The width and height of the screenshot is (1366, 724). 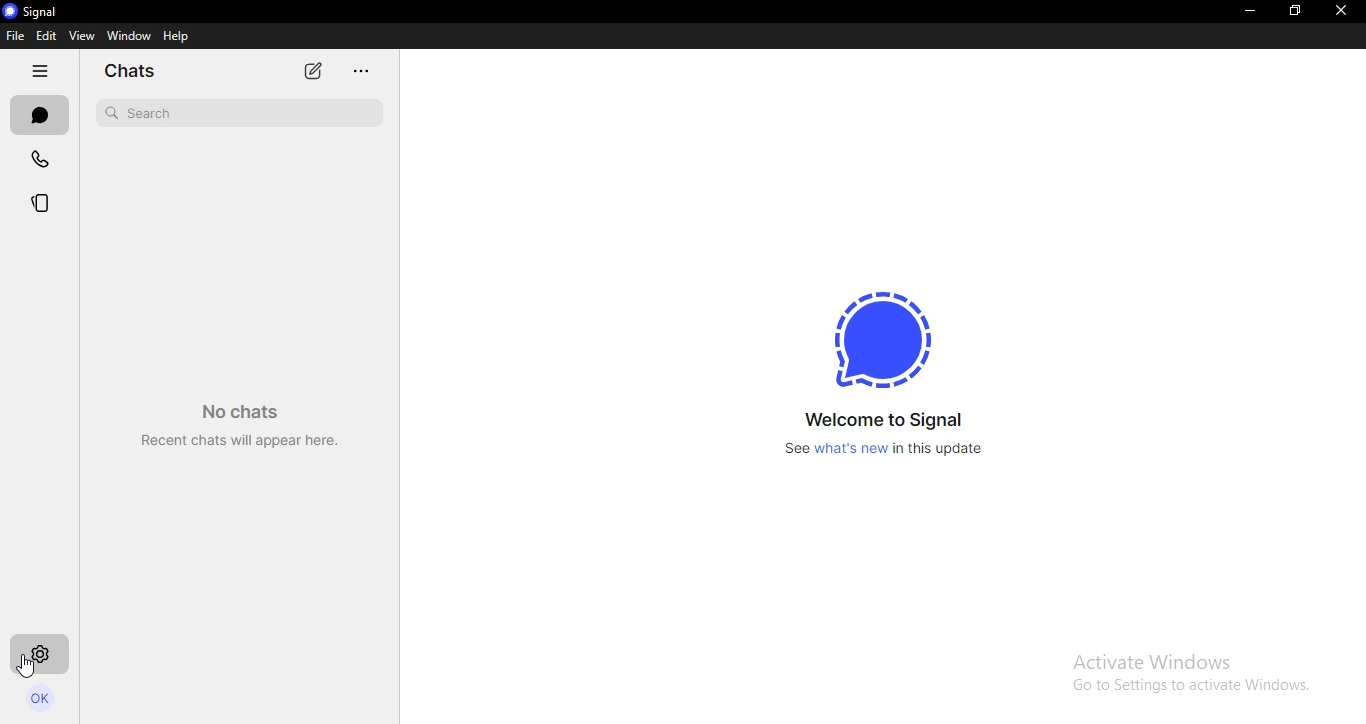 I want to click on signal logo, so click(x=32, y=12).